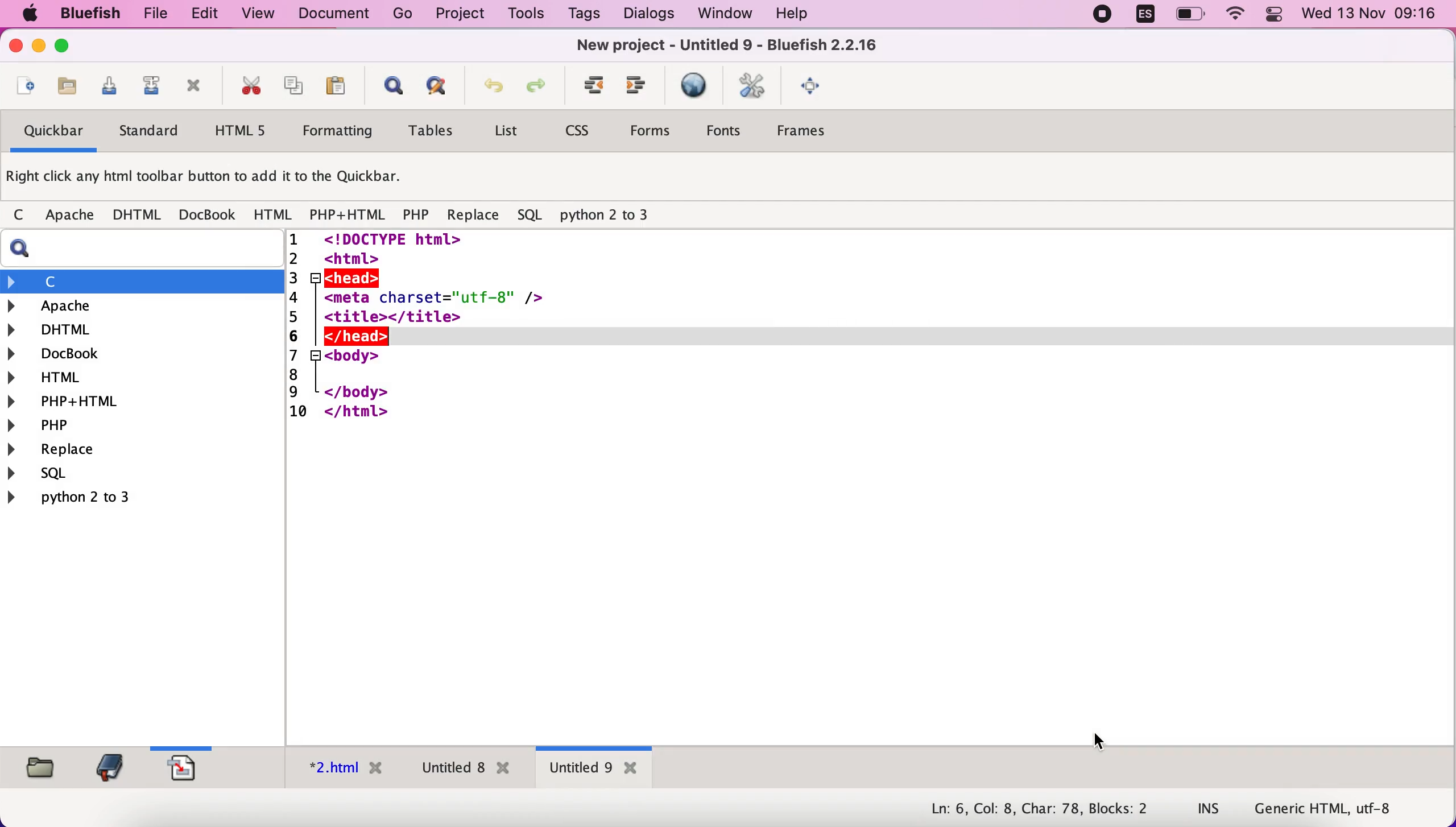 The height and width of the screenshot is (827, 1456). I want to click on copy, so click(290, 87).